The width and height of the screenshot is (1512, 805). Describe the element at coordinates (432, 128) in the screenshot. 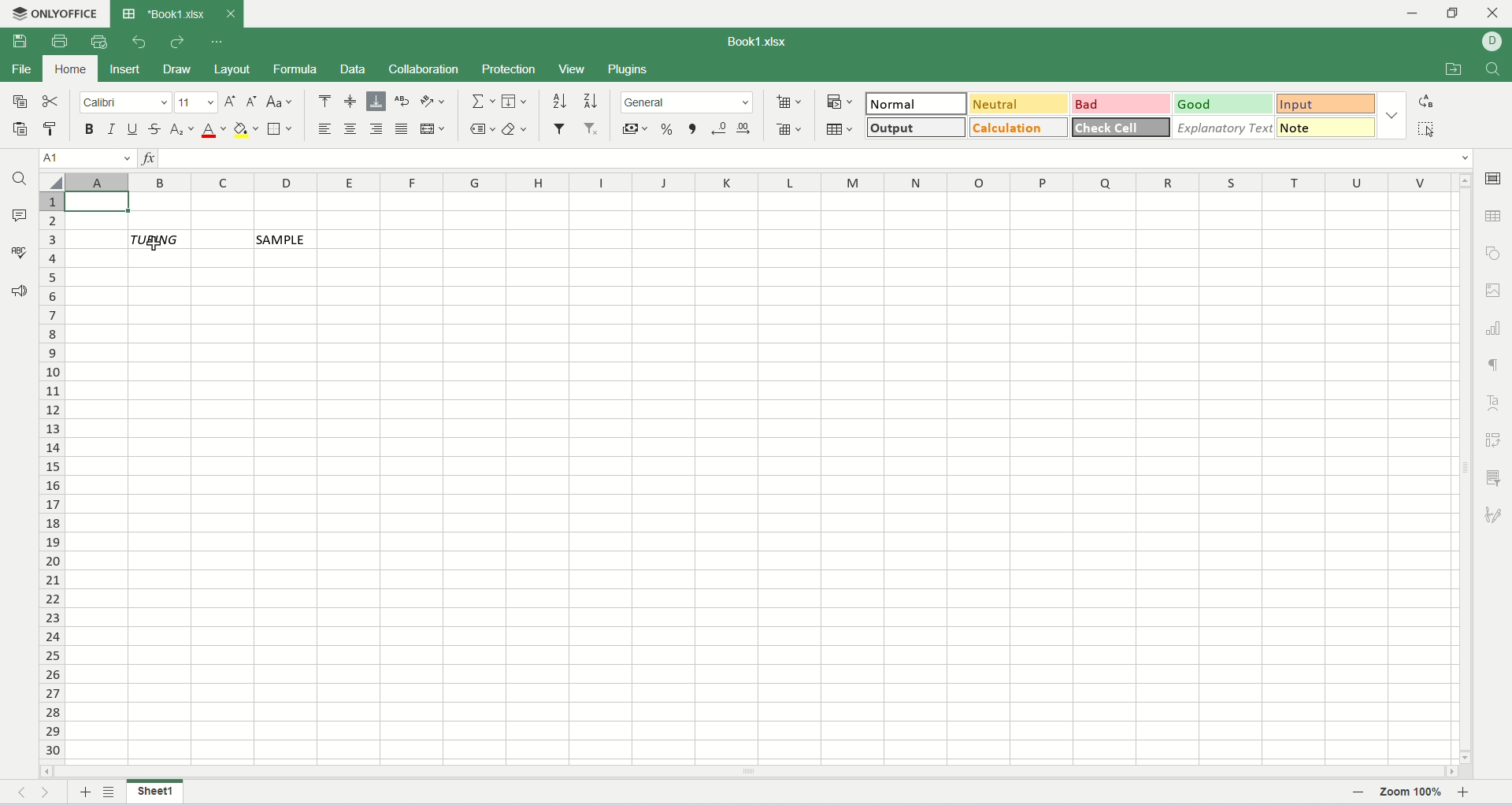

I see `merge and center` at that location.